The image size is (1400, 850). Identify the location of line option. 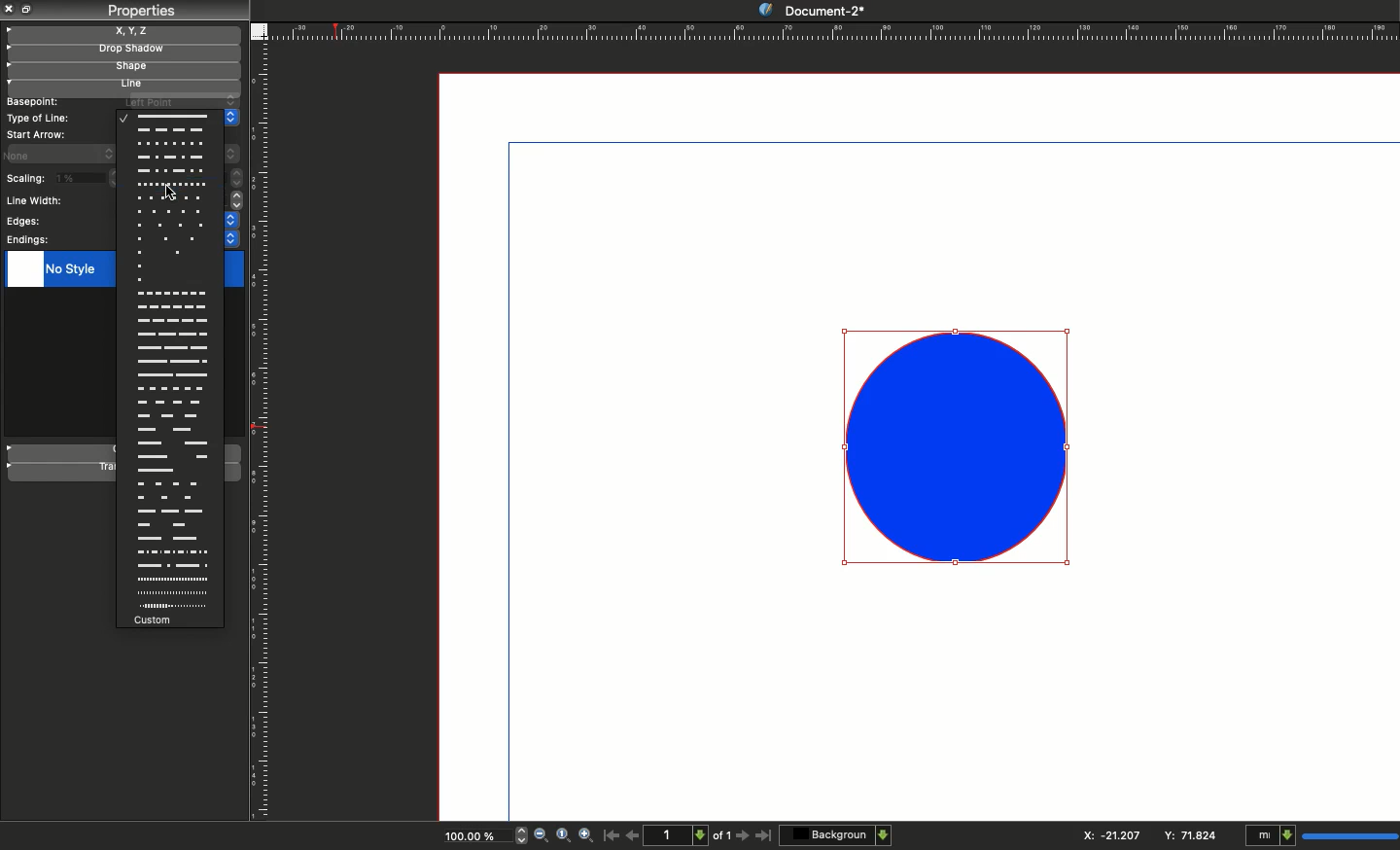
(171, 415).